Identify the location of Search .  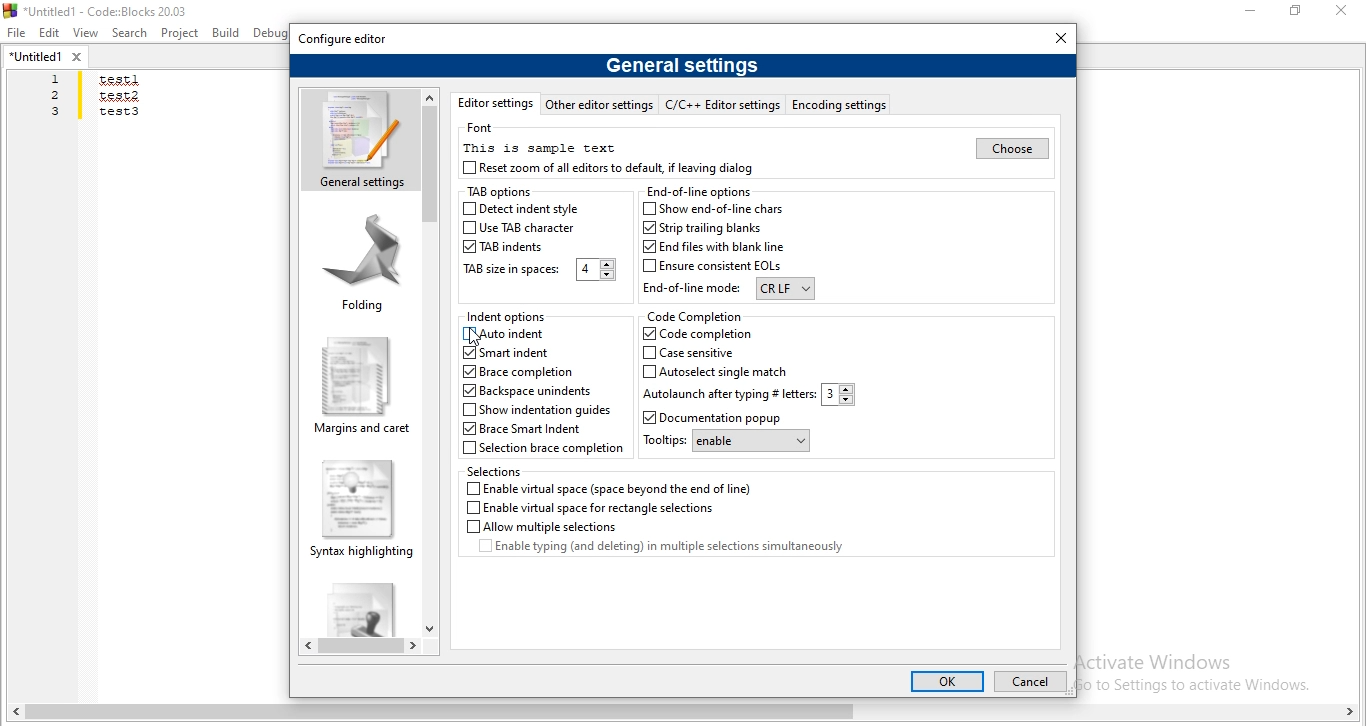
(130, 34).